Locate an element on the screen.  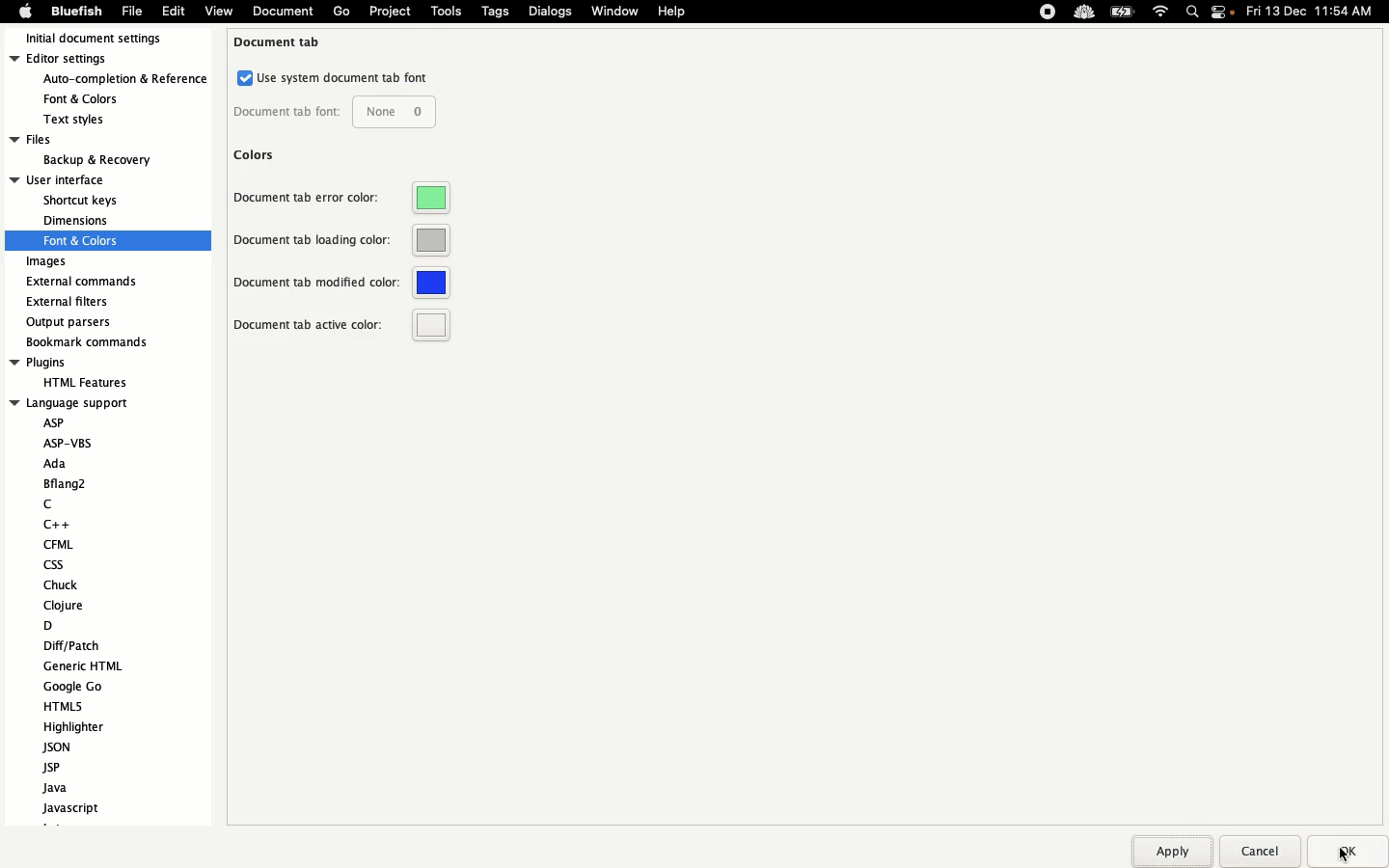
External filters is located at coordinates (70, 302).